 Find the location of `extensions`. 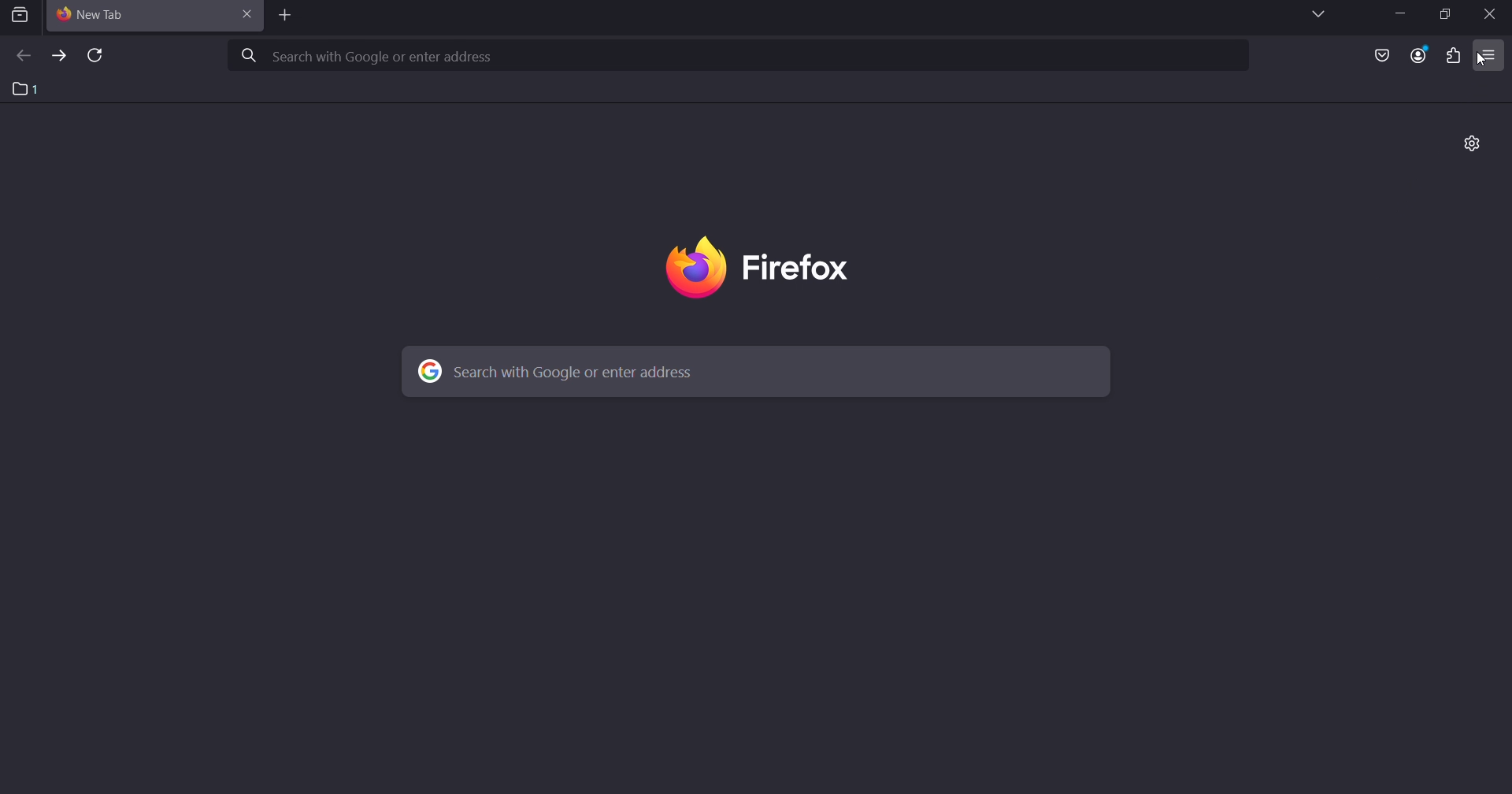

extensions is located at coordinates (1451, 56).